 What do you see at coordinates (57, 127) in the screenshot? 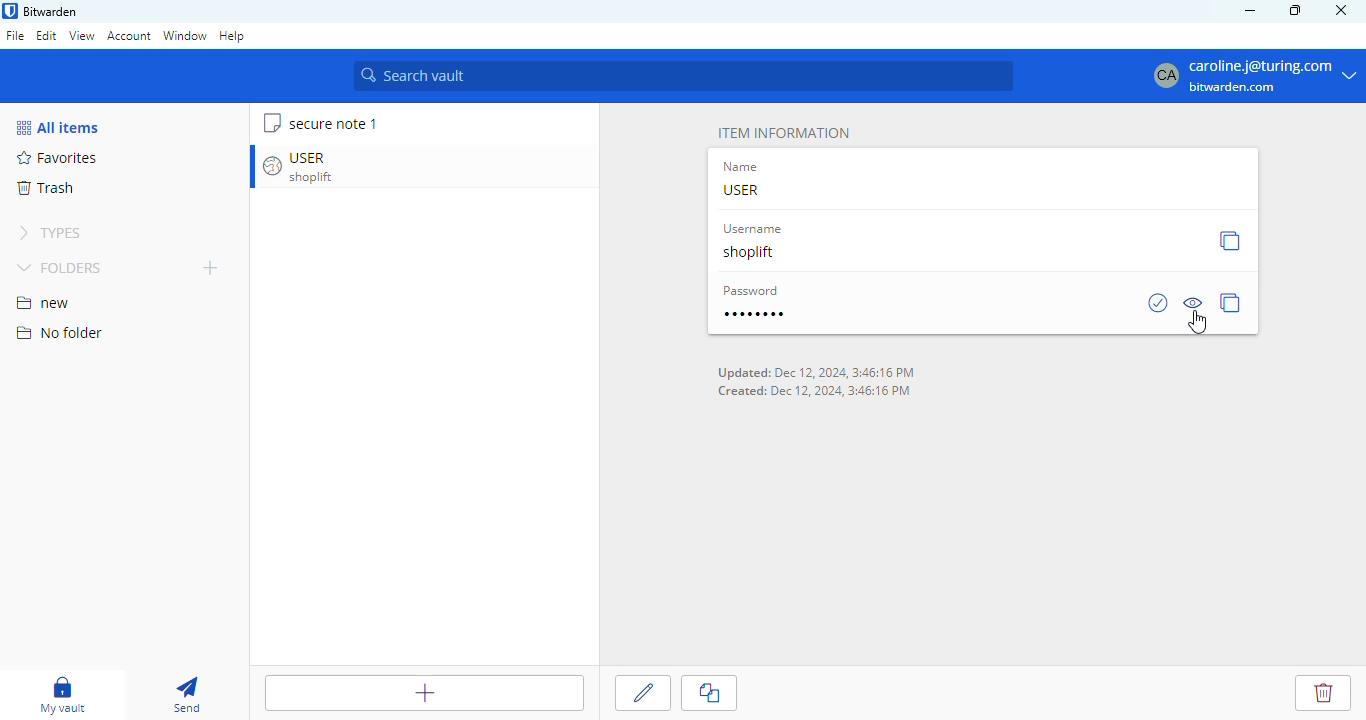
I see `all items` at bounding box center [57, 127].